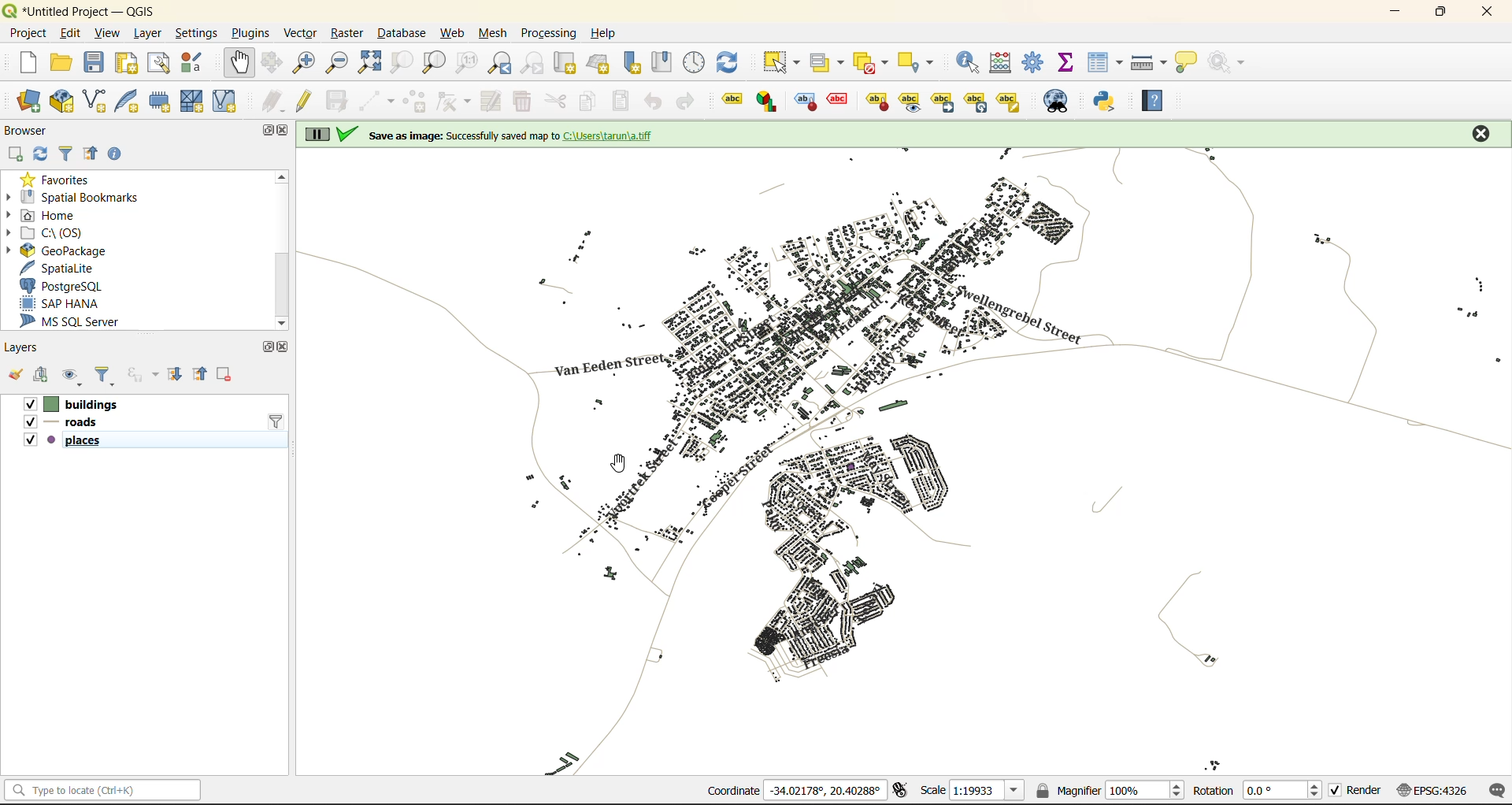  Describe the element at coordinates (346, 32) in the screenshot. I see `raster` at that location.